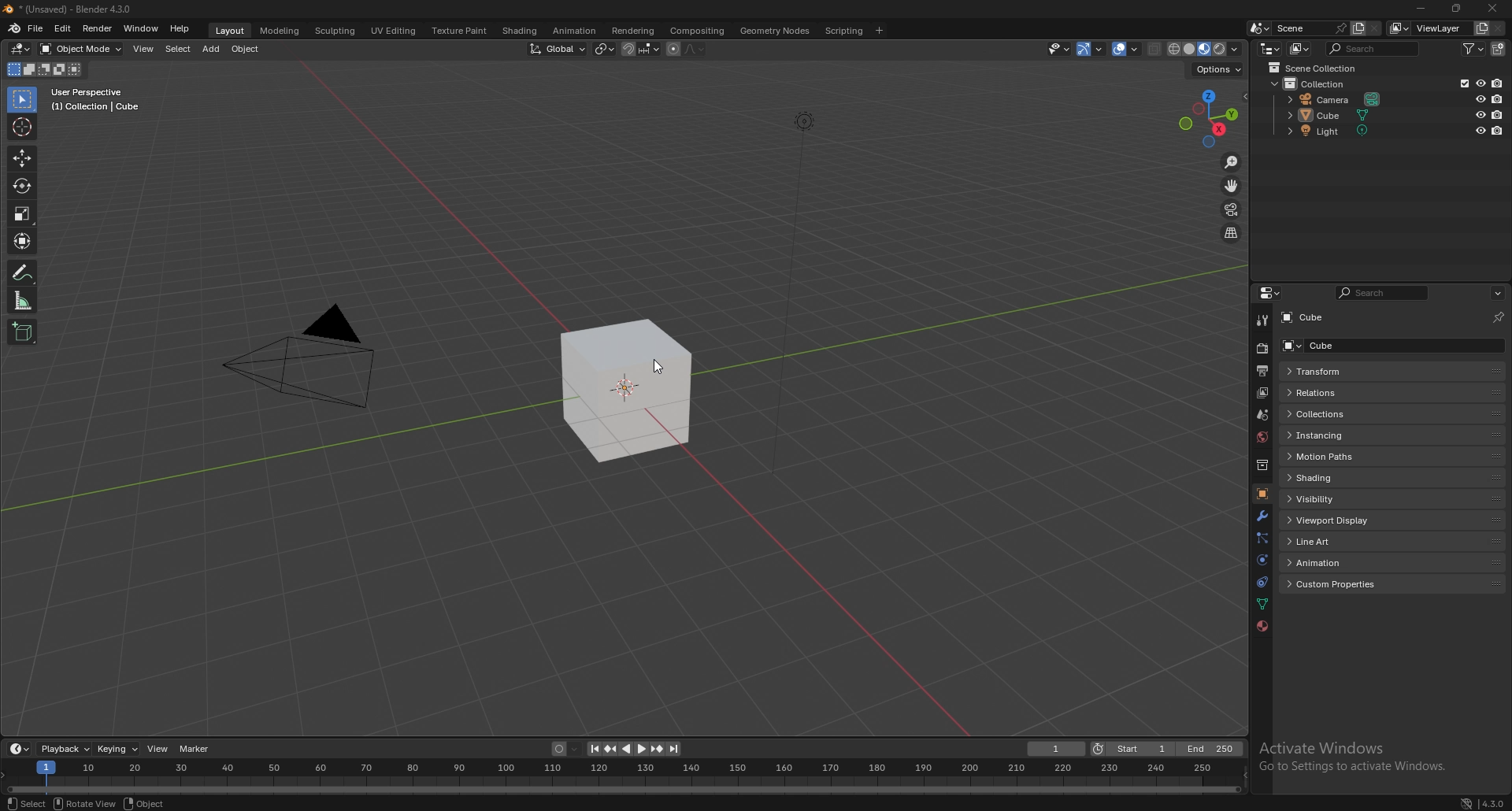 The image size is (1512, 811). What do you see at coordinates (97, 28) in the screenshot?
I see `render` at bounding box center [97, 28].